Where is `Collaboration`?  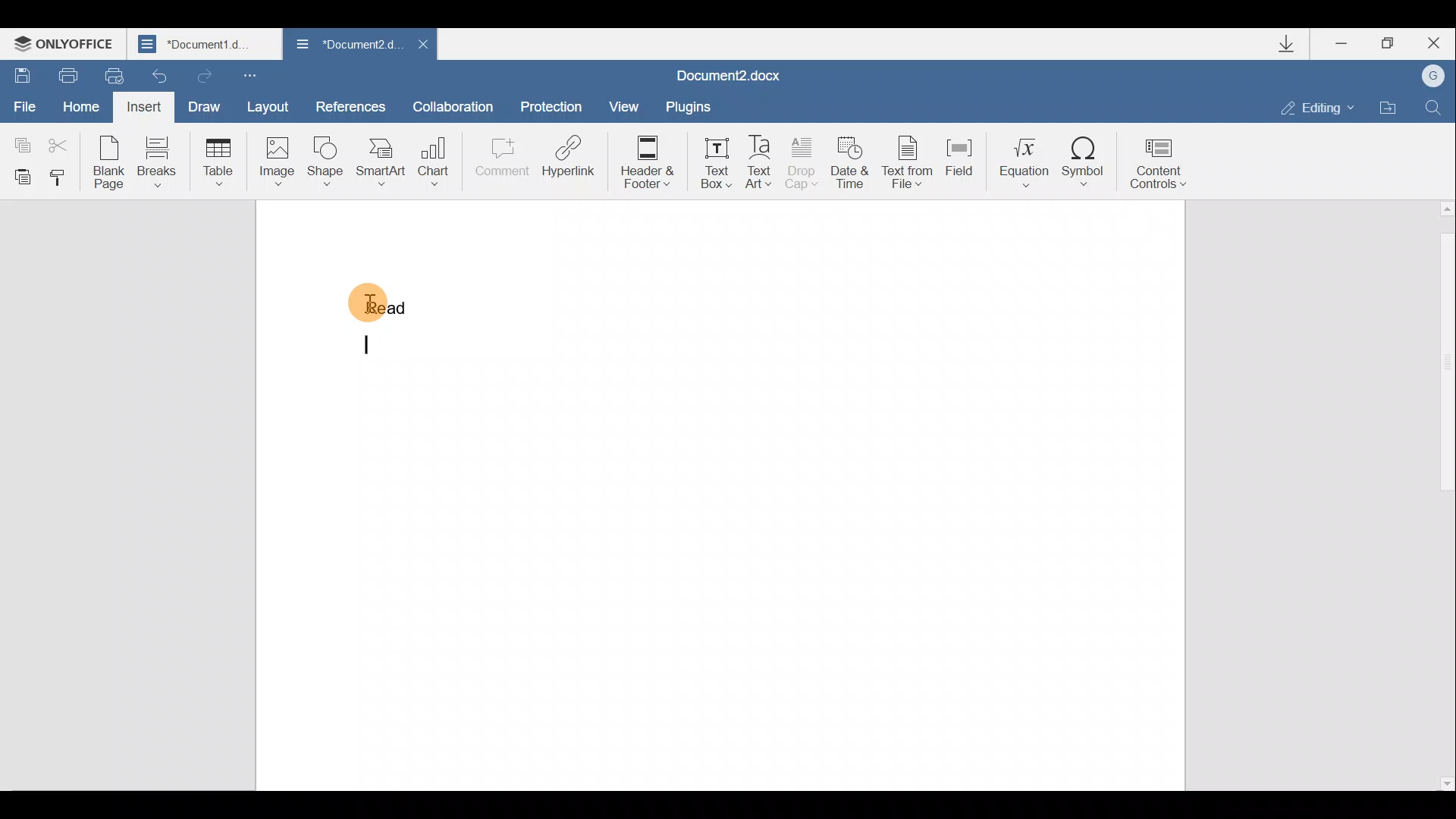
Collaboration is located at coordinates (453, 104).